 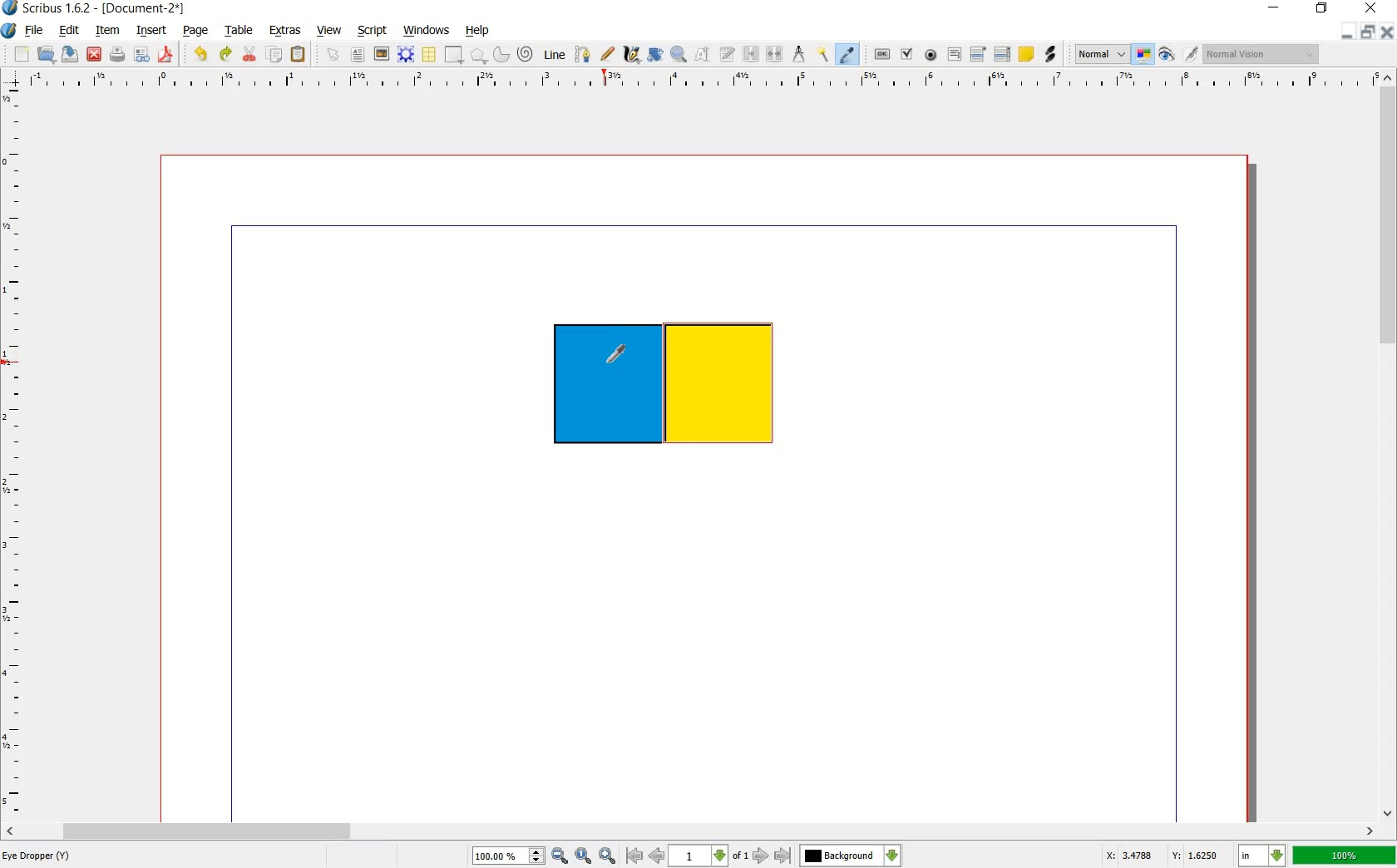 I want to click on pdf push button, so click(x=881, y=54).